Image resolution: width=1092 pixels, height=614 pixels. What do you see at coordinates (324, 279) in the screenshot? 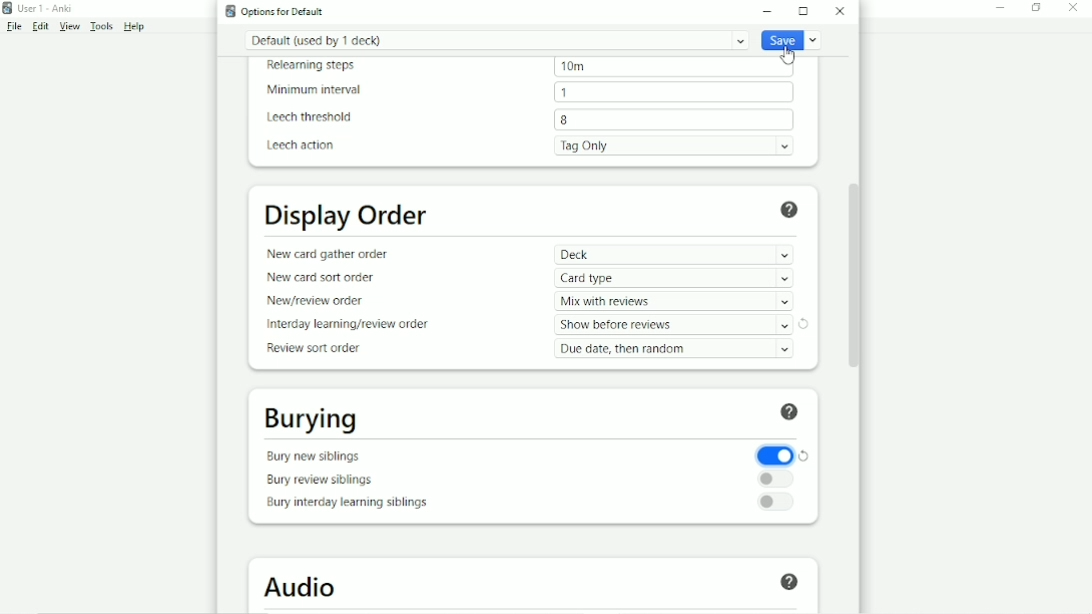
I see `New card sort order` at bounding box center [324, 279].